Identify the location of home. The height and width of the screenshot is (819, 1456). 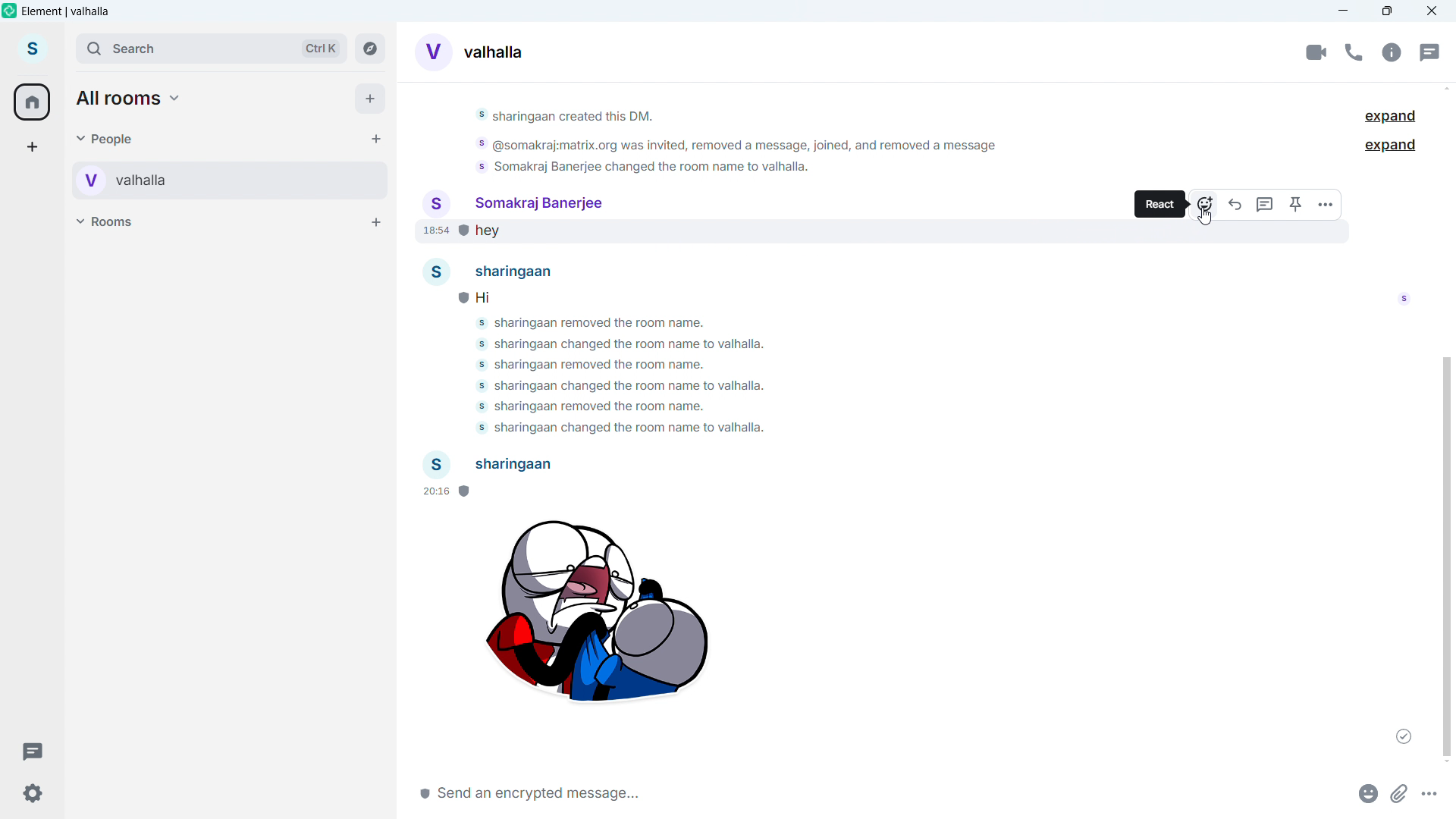
(33, 102).